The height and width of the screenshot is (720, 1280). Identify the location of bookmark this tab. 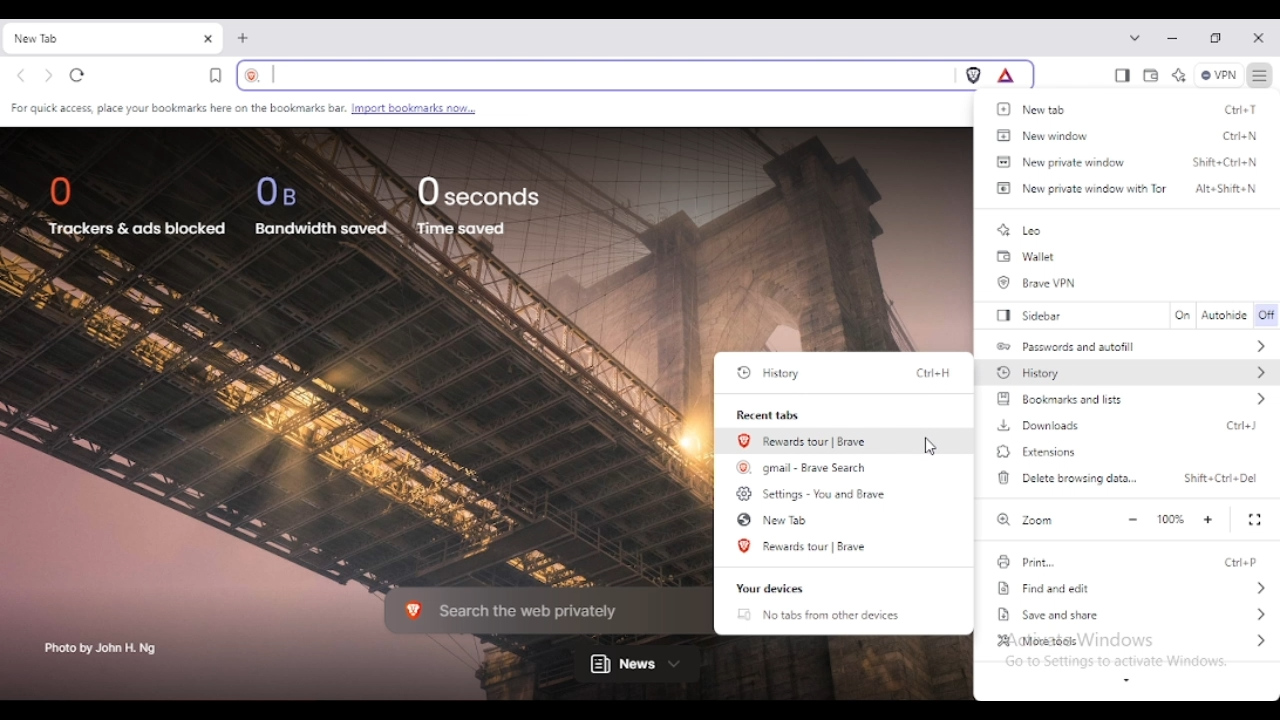
(216, 75).